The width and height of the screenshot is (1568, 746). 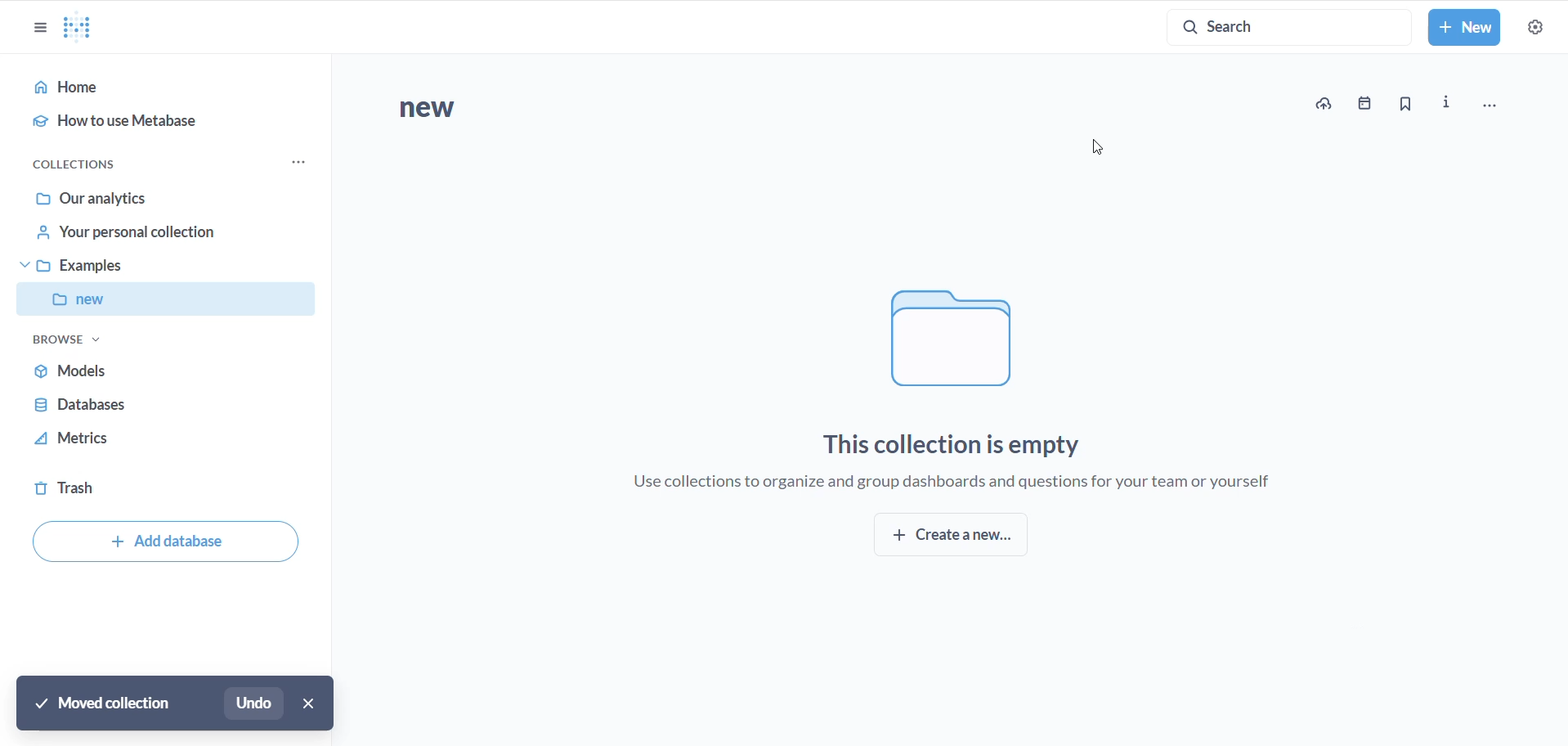 What do you see at coordinates (136, 303) in the screenshot?
I see `NEW` at bounding box center [136, 303].